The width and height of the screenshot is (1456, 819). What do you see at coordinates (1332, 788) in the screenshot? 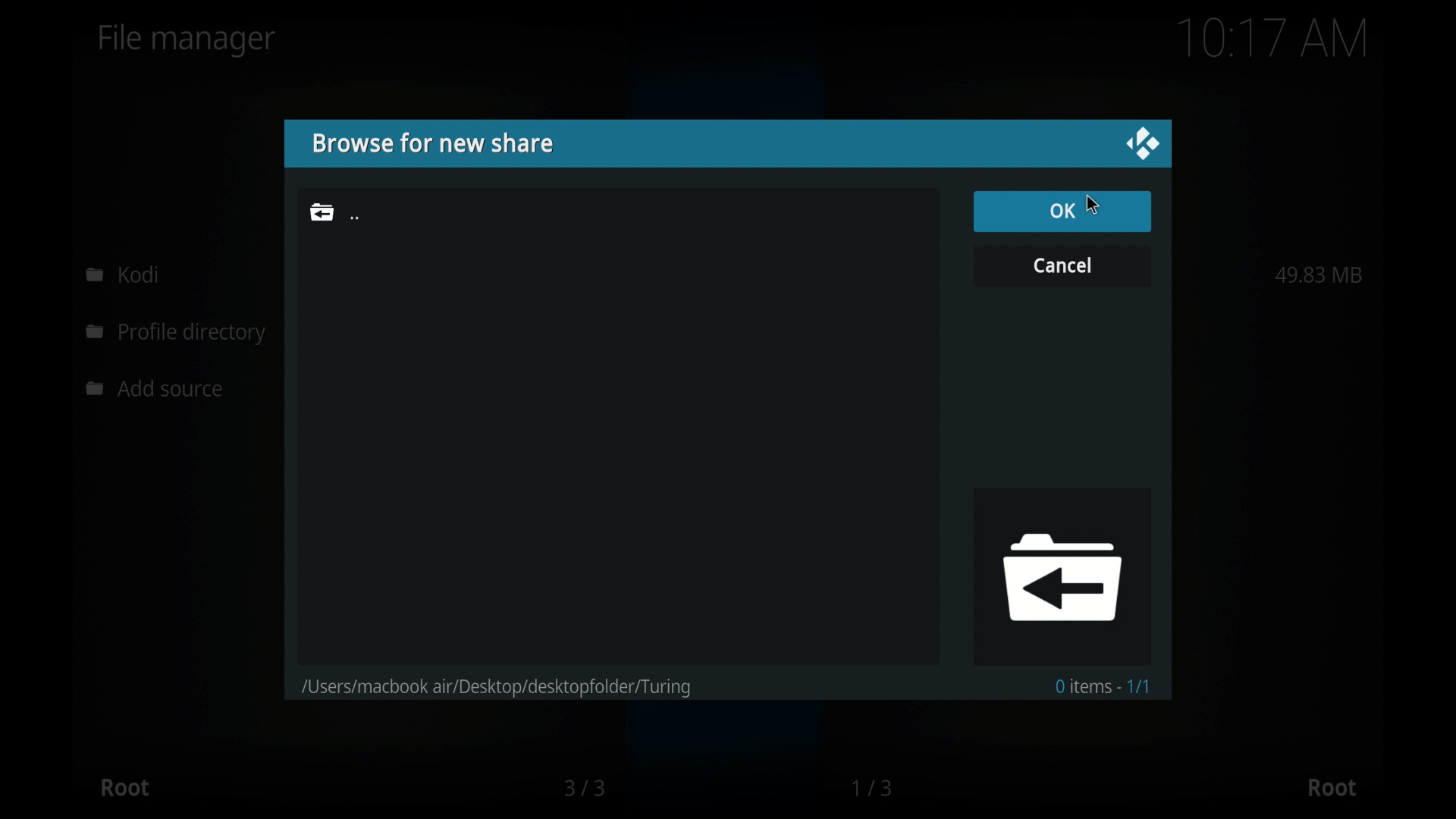
I see `root` at bounding box center [1332, 788].